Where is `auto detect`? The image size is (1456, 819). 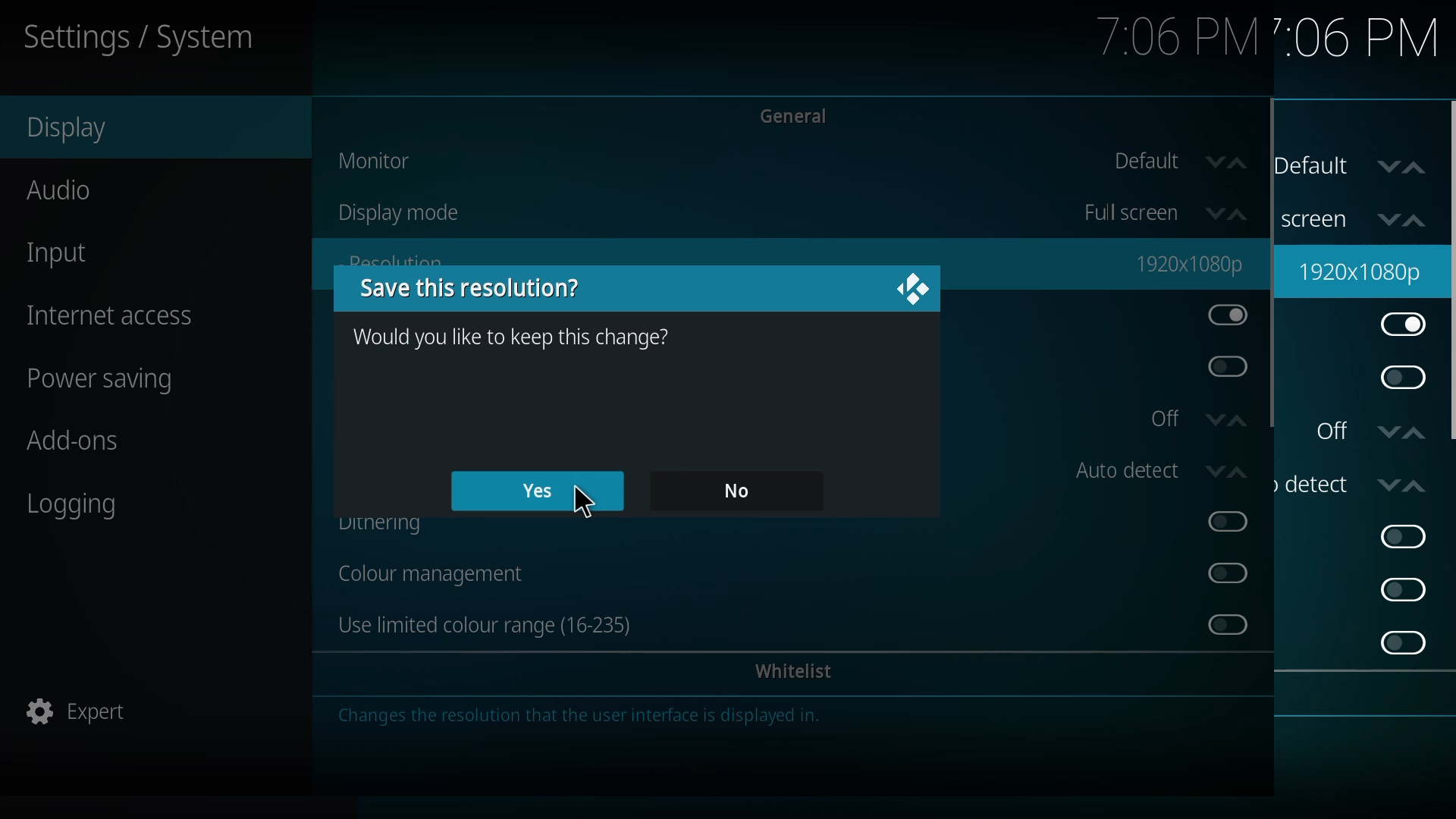
auto detect is located at coordinates (1148, 481).